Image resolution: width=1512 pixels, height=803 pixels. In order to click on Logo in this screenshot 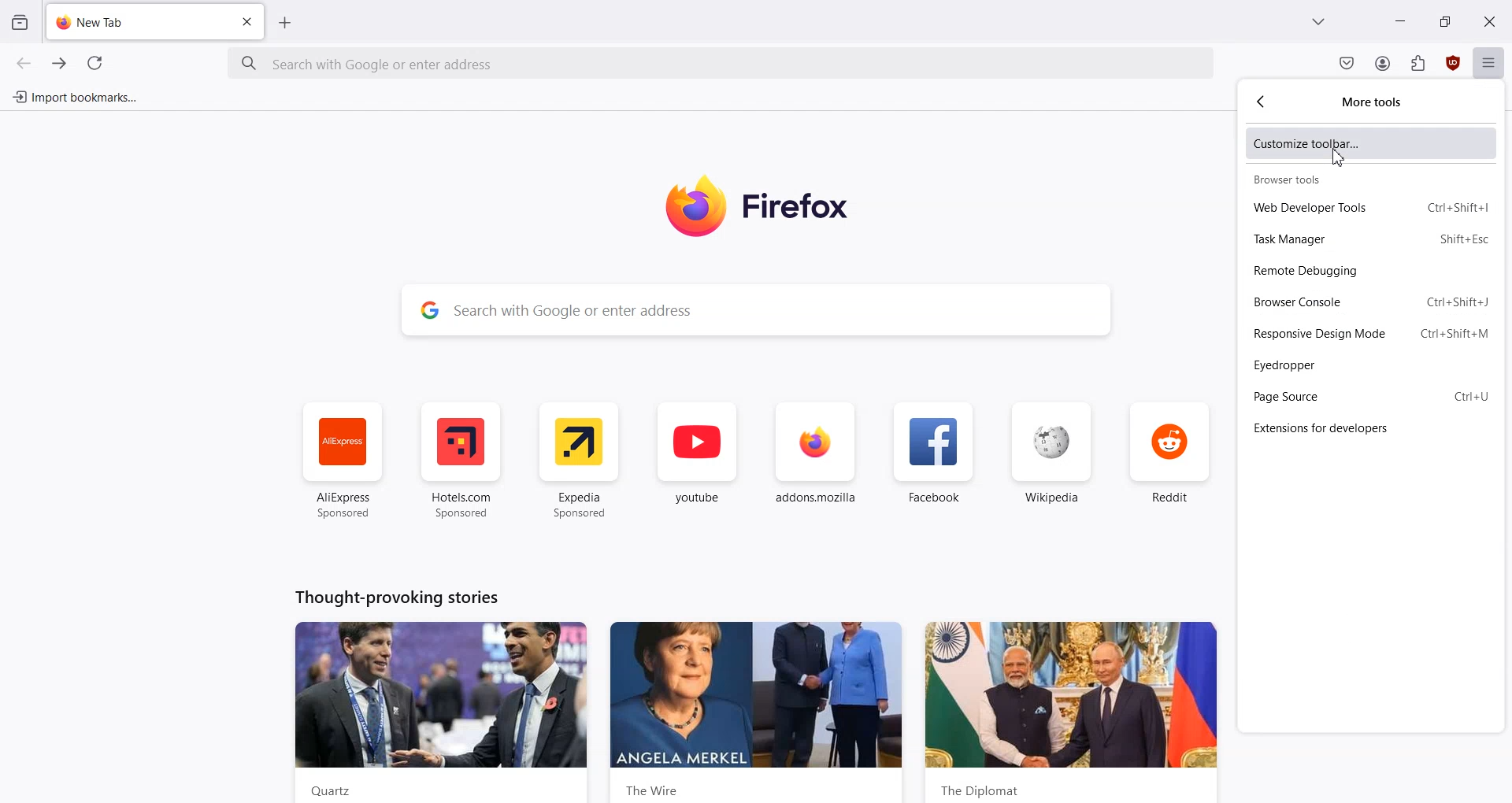, I will do `click(780, 206)`.